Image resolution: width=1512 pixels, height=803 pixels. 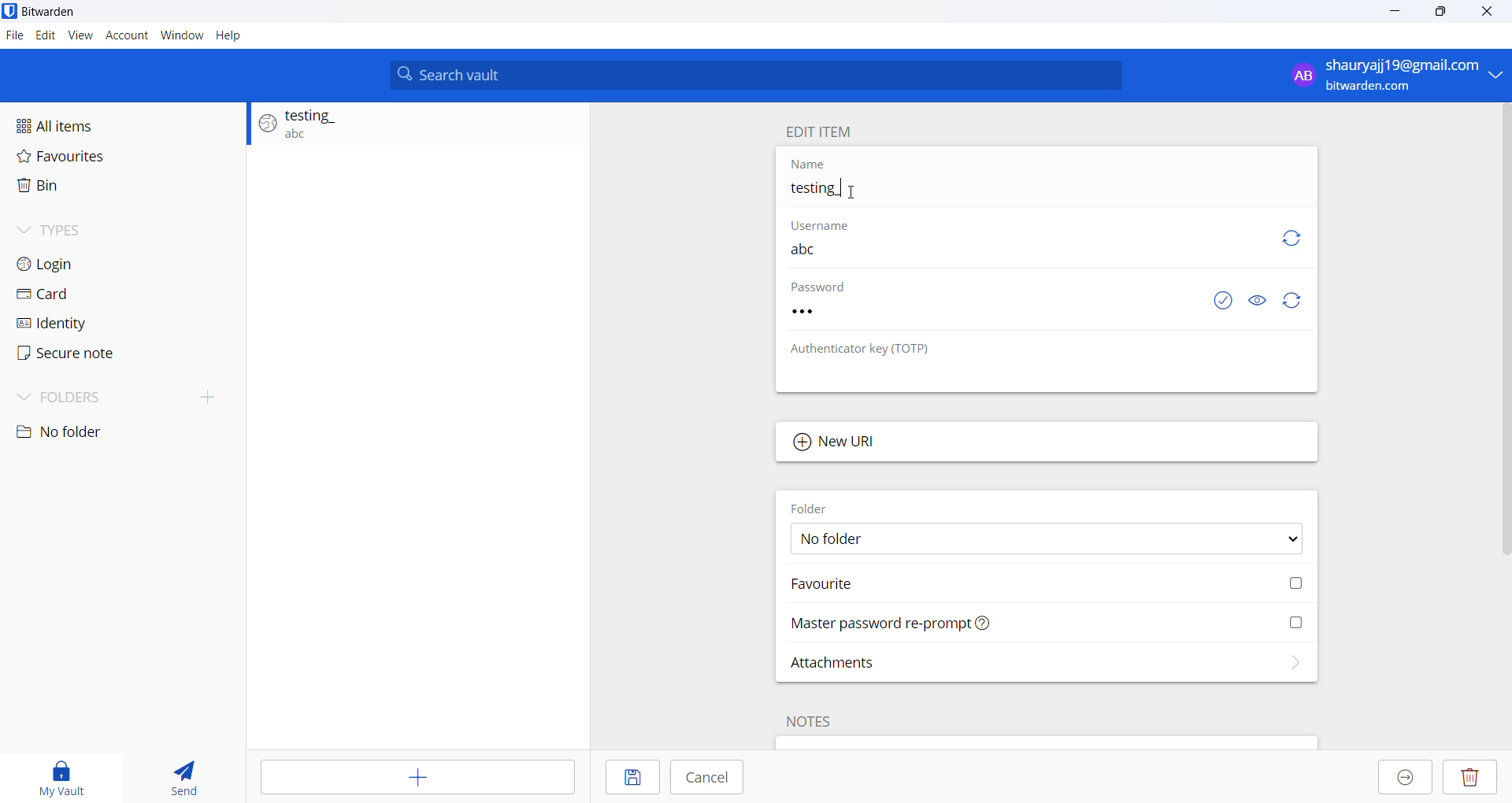 I want to click on send, so click(x=186, y=774).